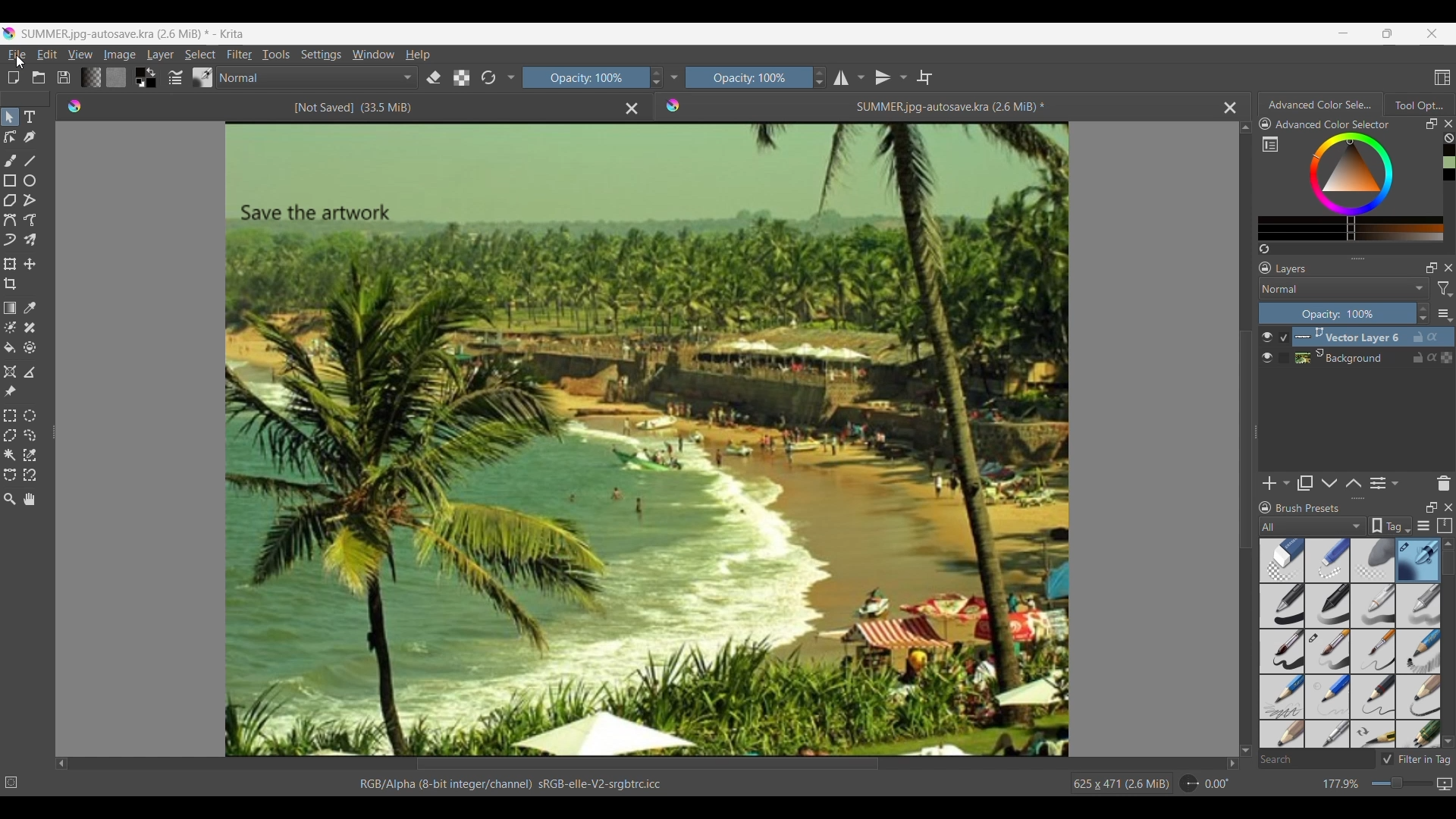 This screenshot has height=819, width=1456. What do you see at coordinates (1432, 33) in the screenshot?
I see `Close interface` at bounding box center [1432, 33].